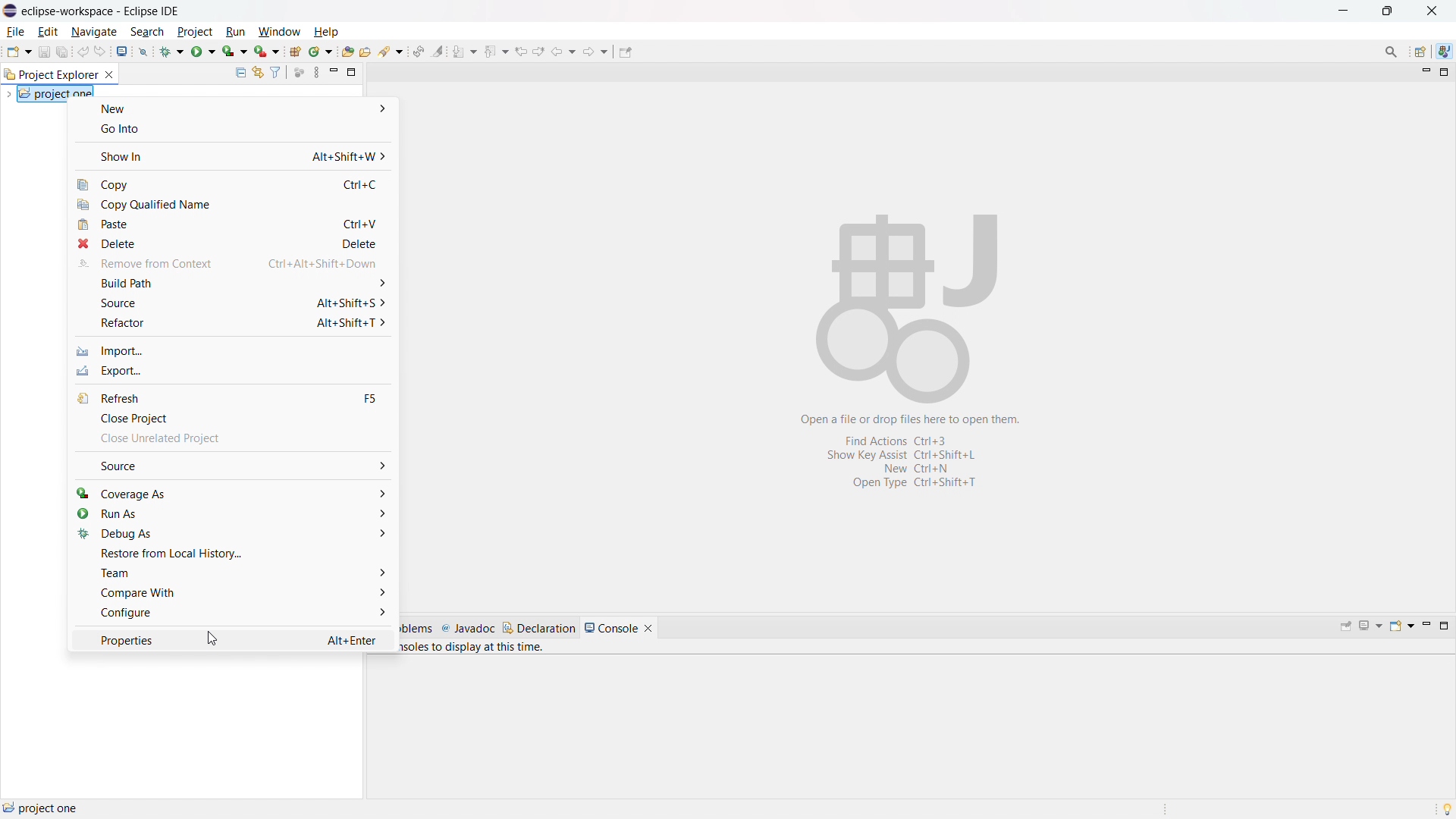 This screenshot has height=819, width=1456. I want to click on cursor, so click(218, 641).